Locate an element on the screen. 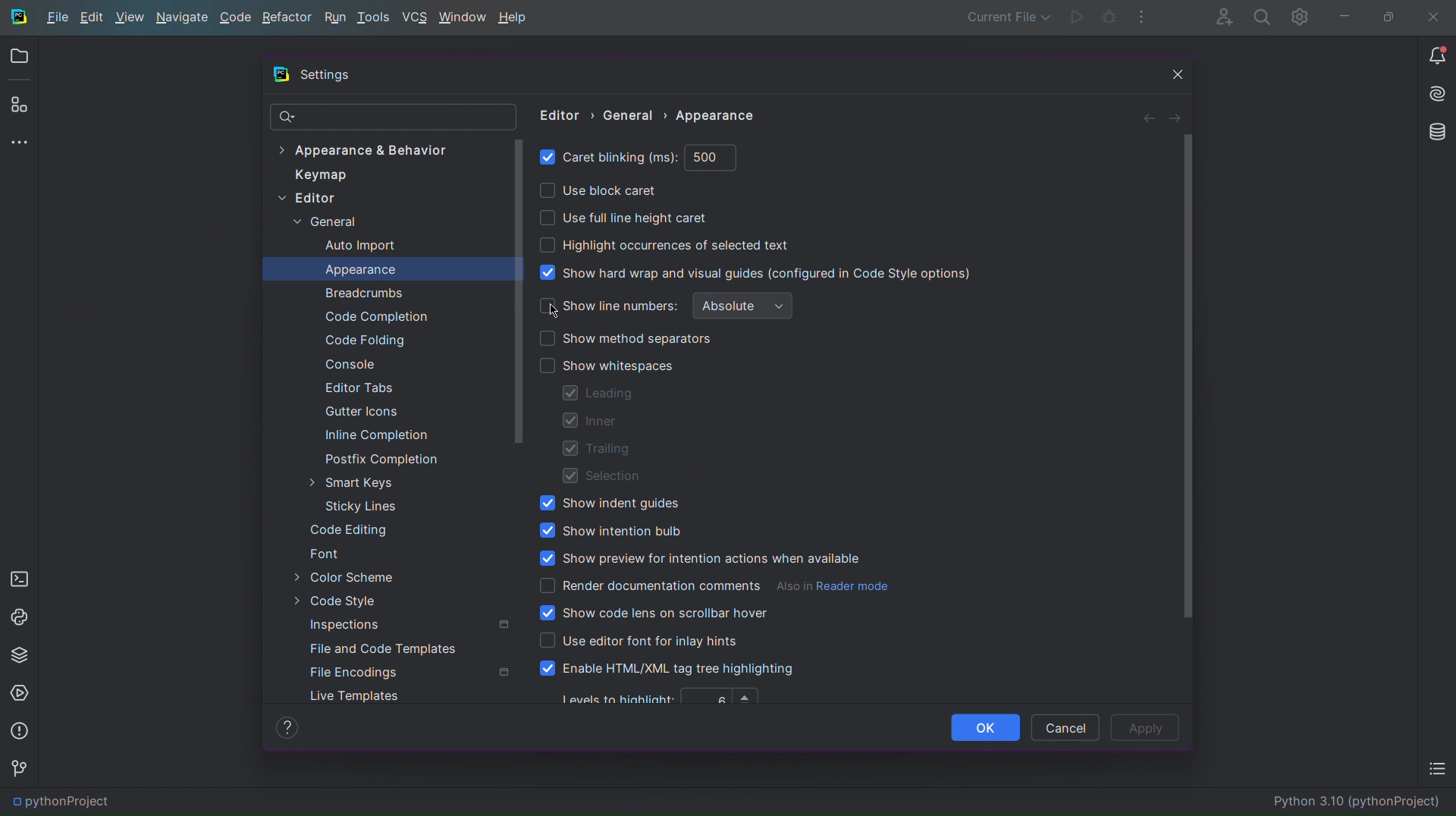 The image size is (1456, 816). General  is located at coordinates (634, 115).